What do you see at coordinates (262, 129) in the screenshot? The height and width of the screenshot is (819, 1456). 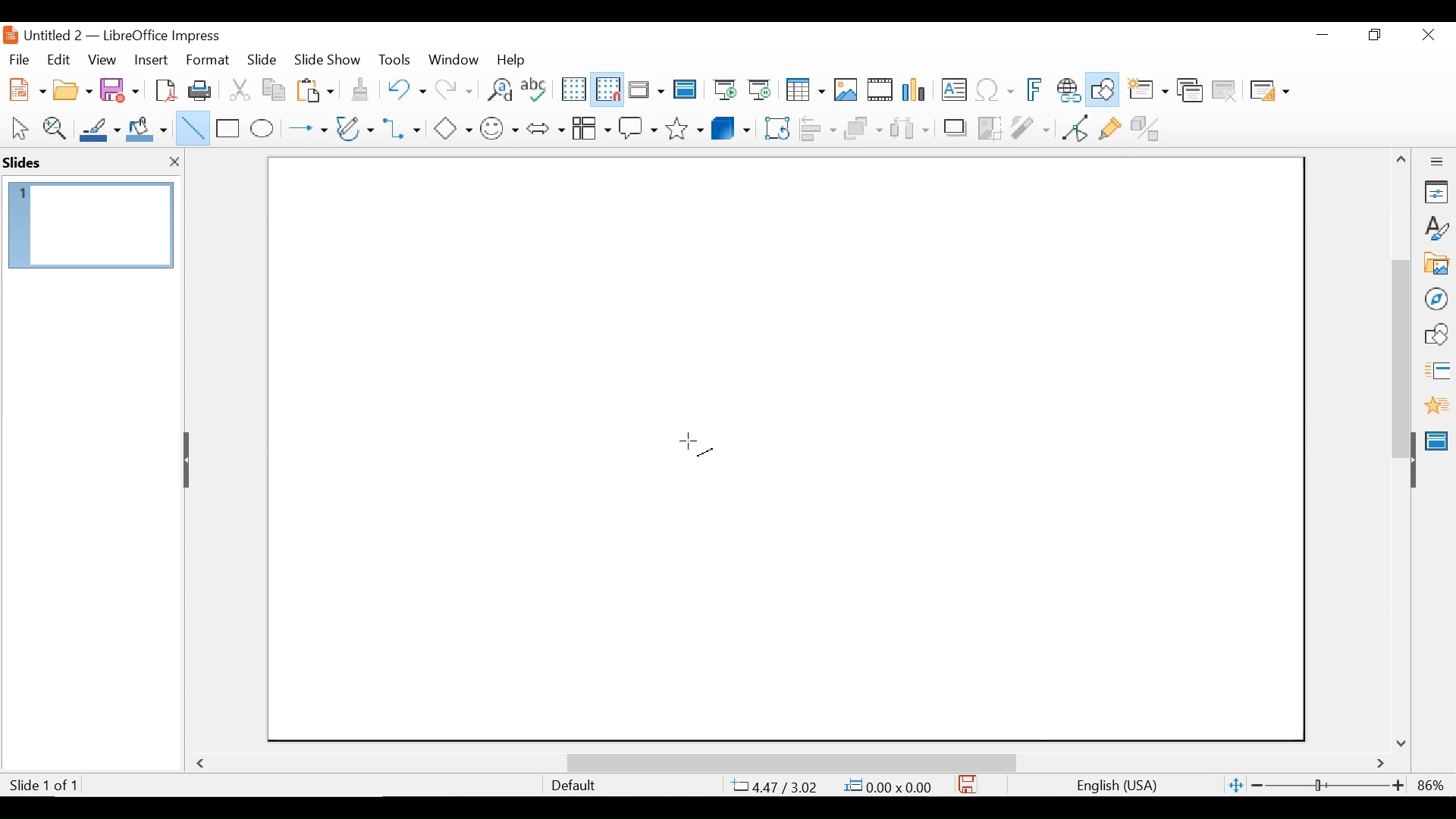 I see `Ellipse` at bounding box center [262, 129].